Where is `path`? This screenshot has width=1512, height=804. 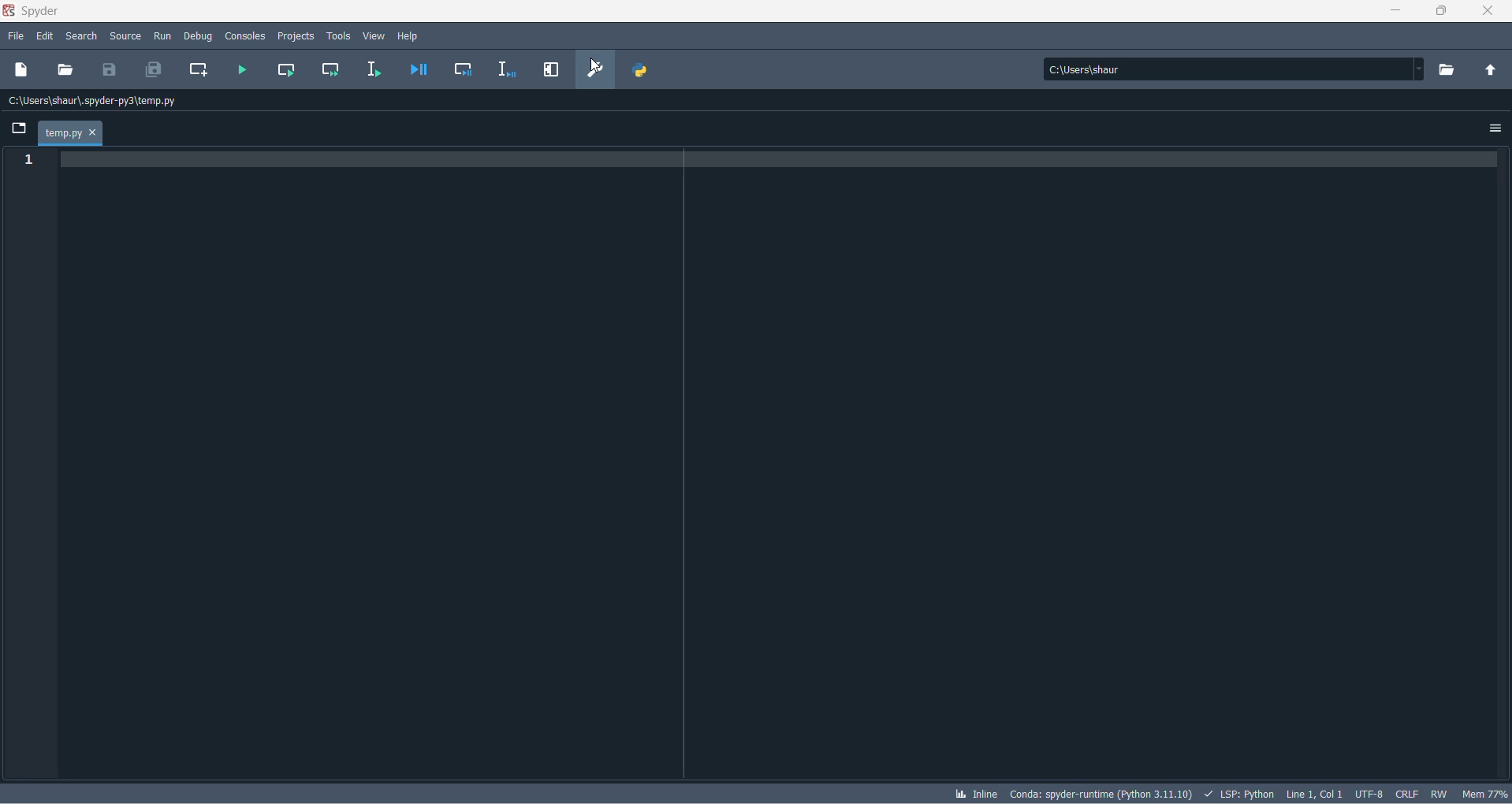 path is located at coordinates (1230, 69).